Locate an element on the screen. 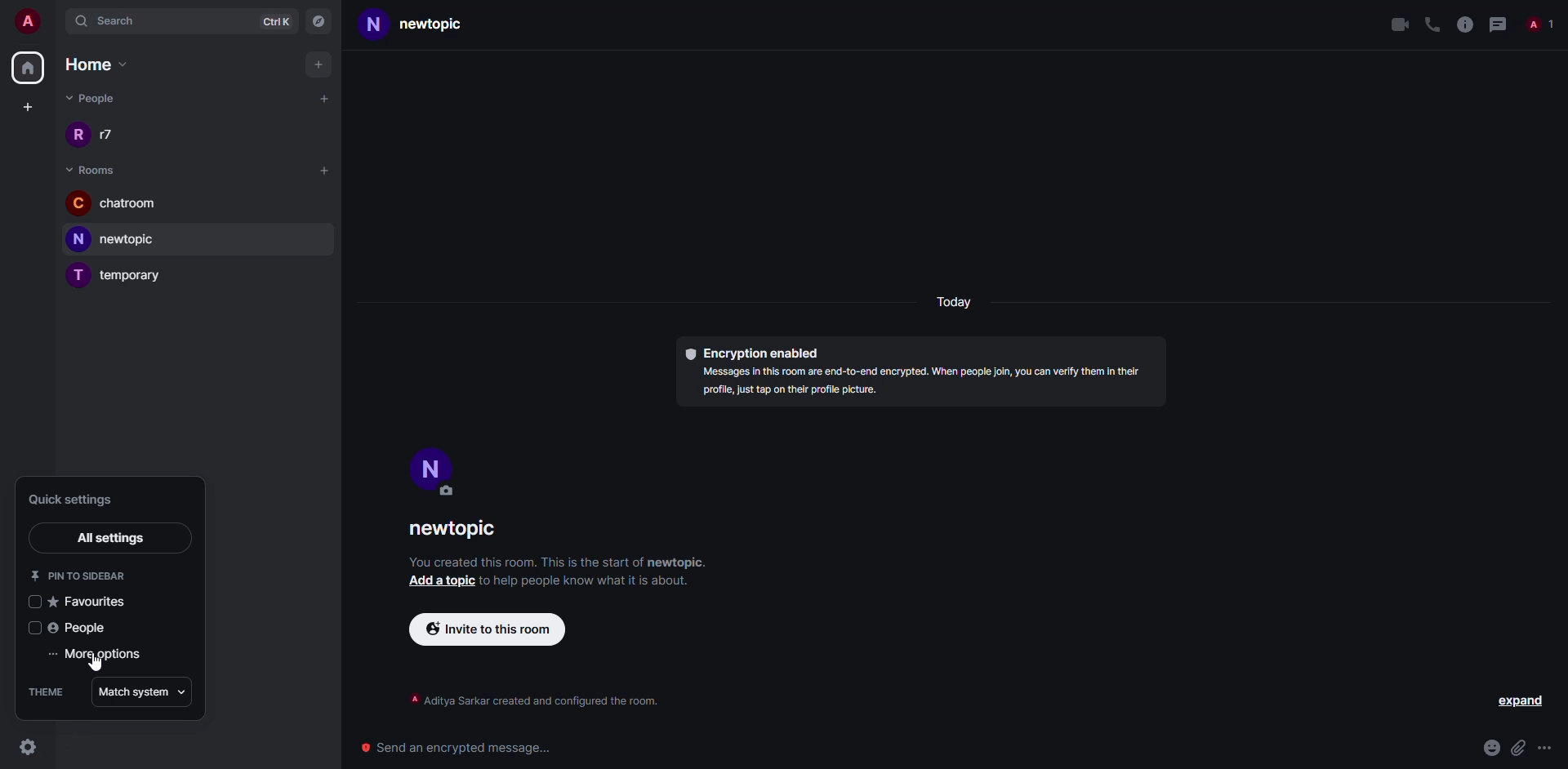  home is located at coordinates (27, 68).